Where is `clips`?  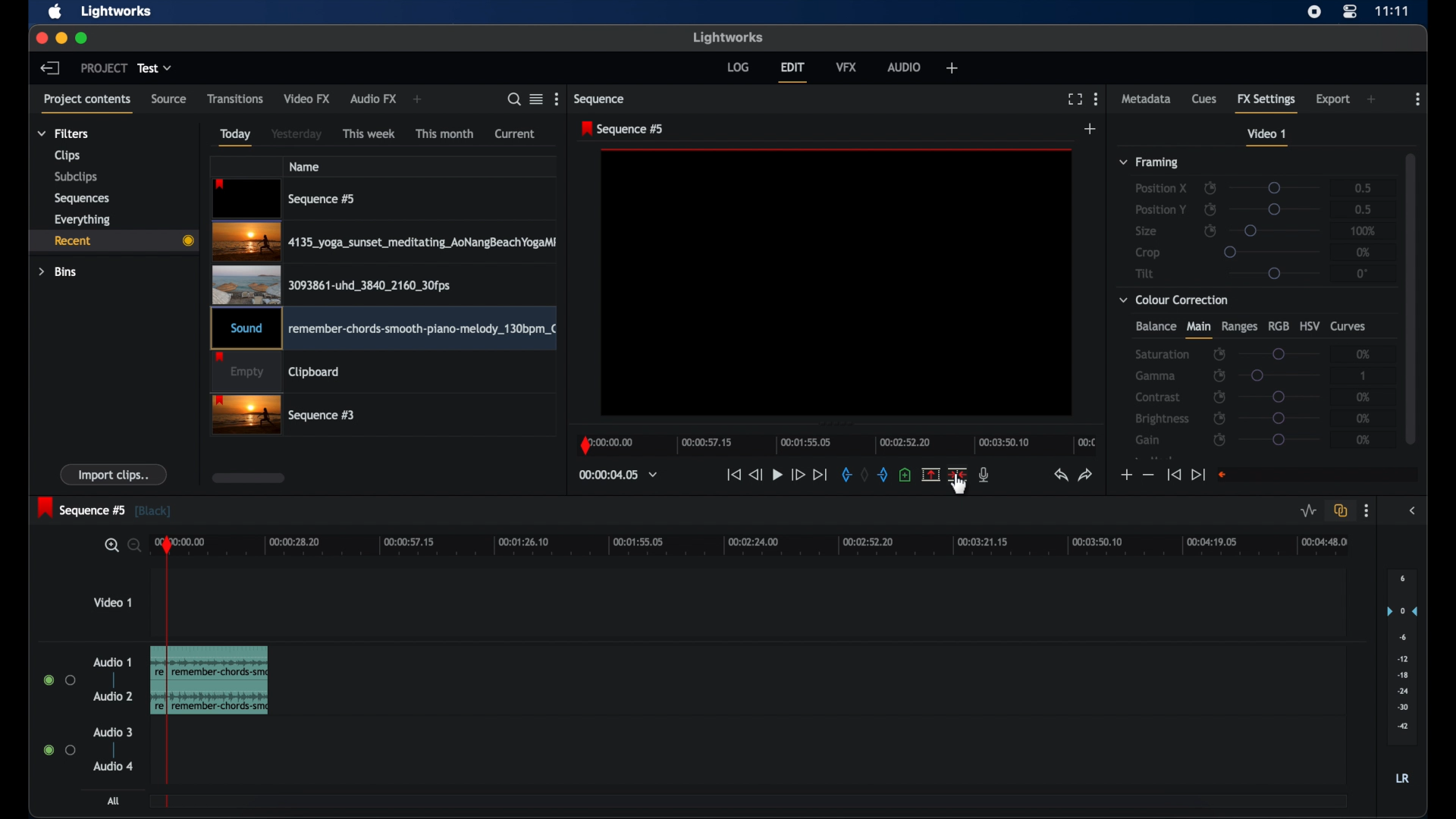 clips is located at coordinates (67, 155).